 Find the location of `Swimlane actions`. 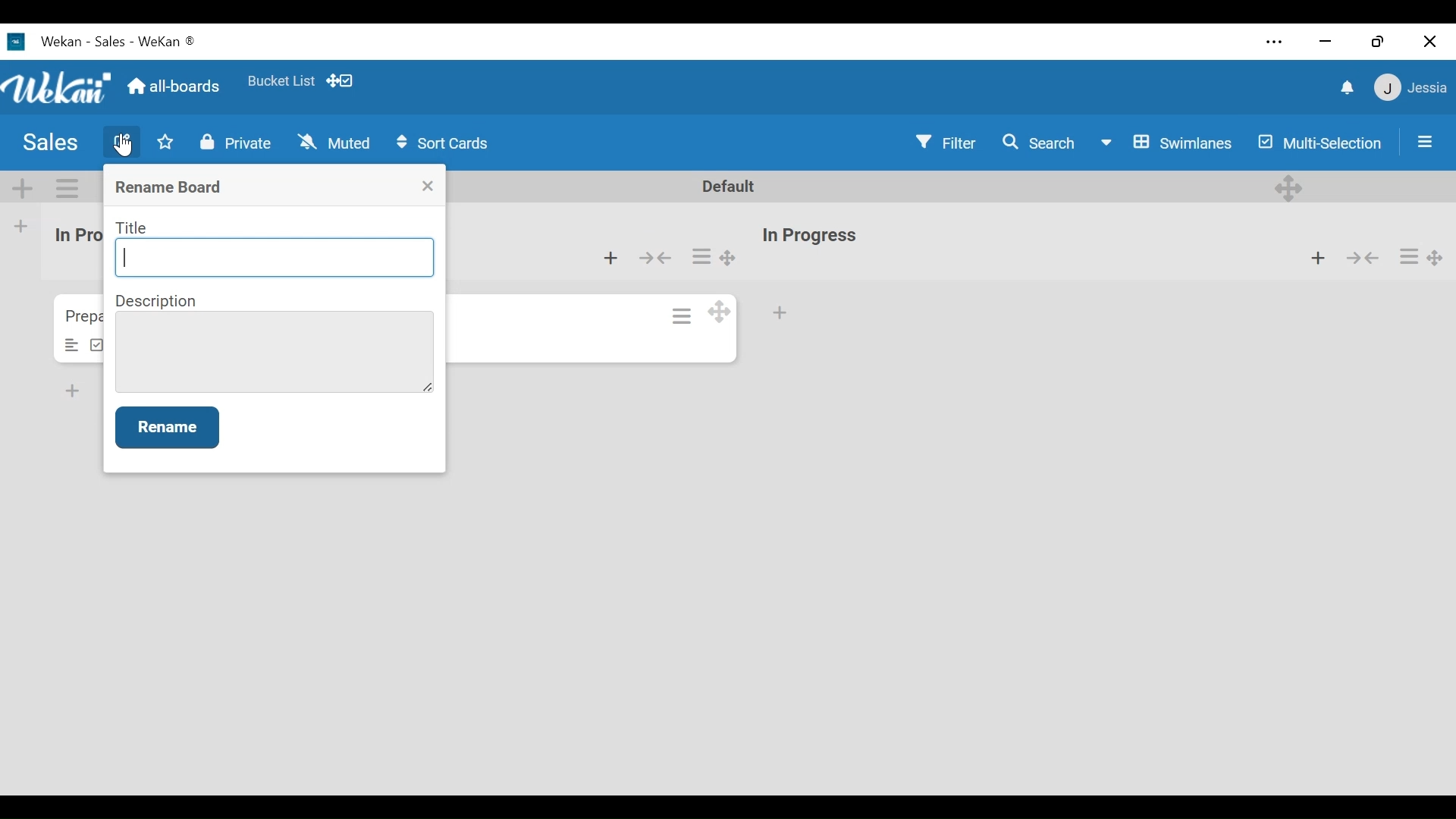

Swimlane actions is located at coordinates (65, 188).